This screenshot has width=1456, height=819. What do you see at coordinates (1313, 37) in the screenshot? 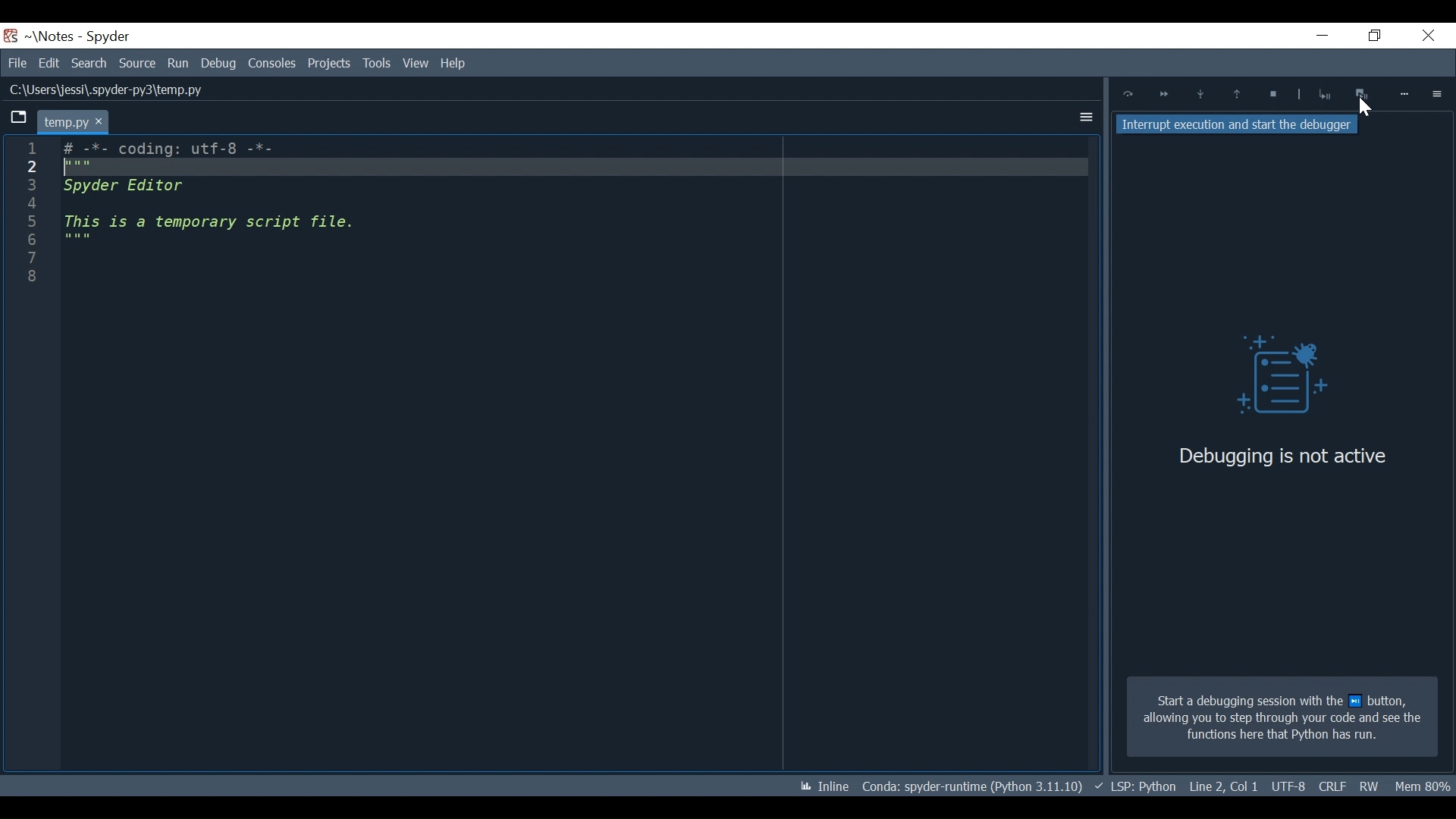
I see `Minimize` at bounding box center [1313, 37].